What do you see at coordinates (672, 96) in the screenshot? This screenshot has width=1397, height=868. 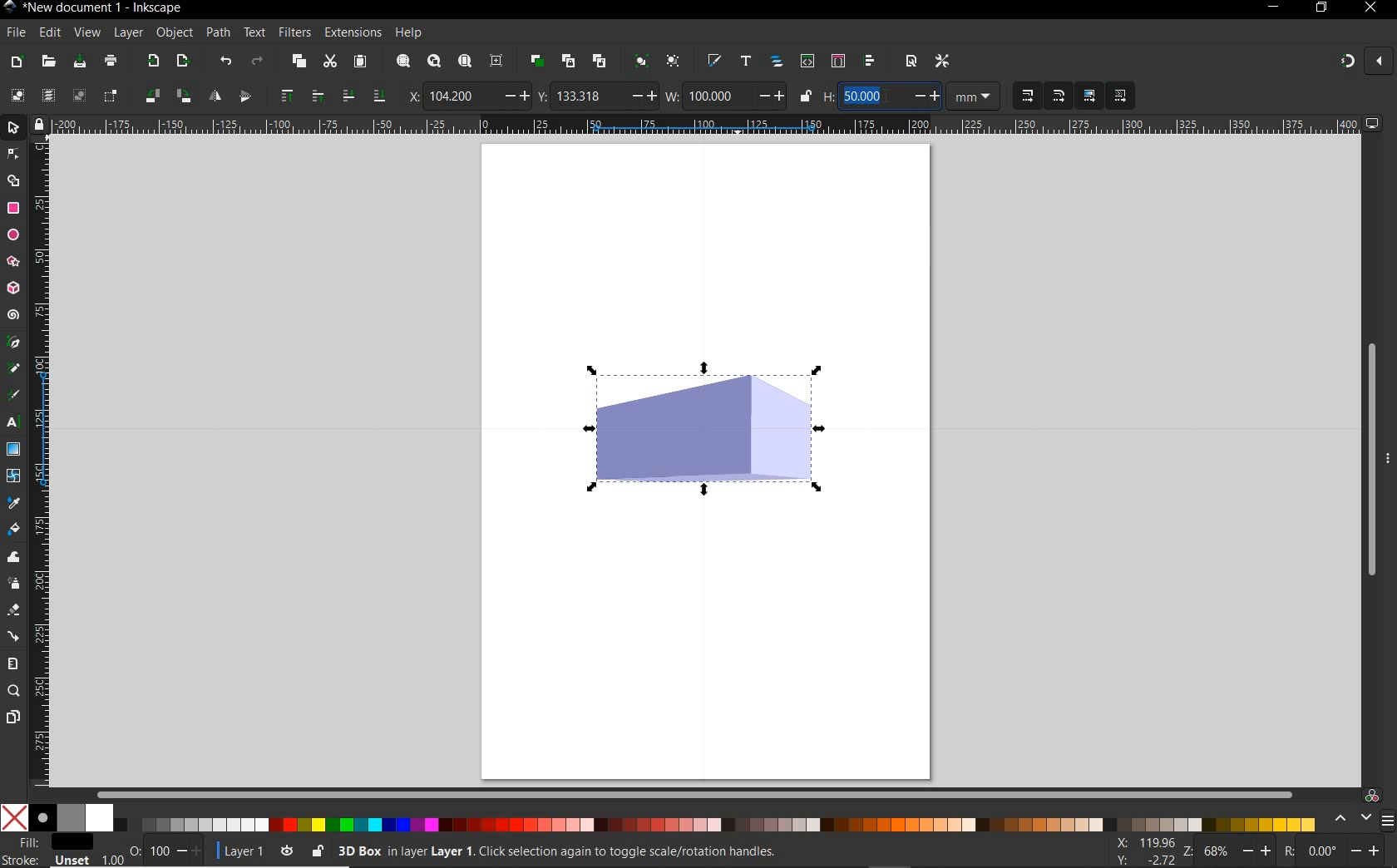 I see `w` at bounding box center [672, 96].